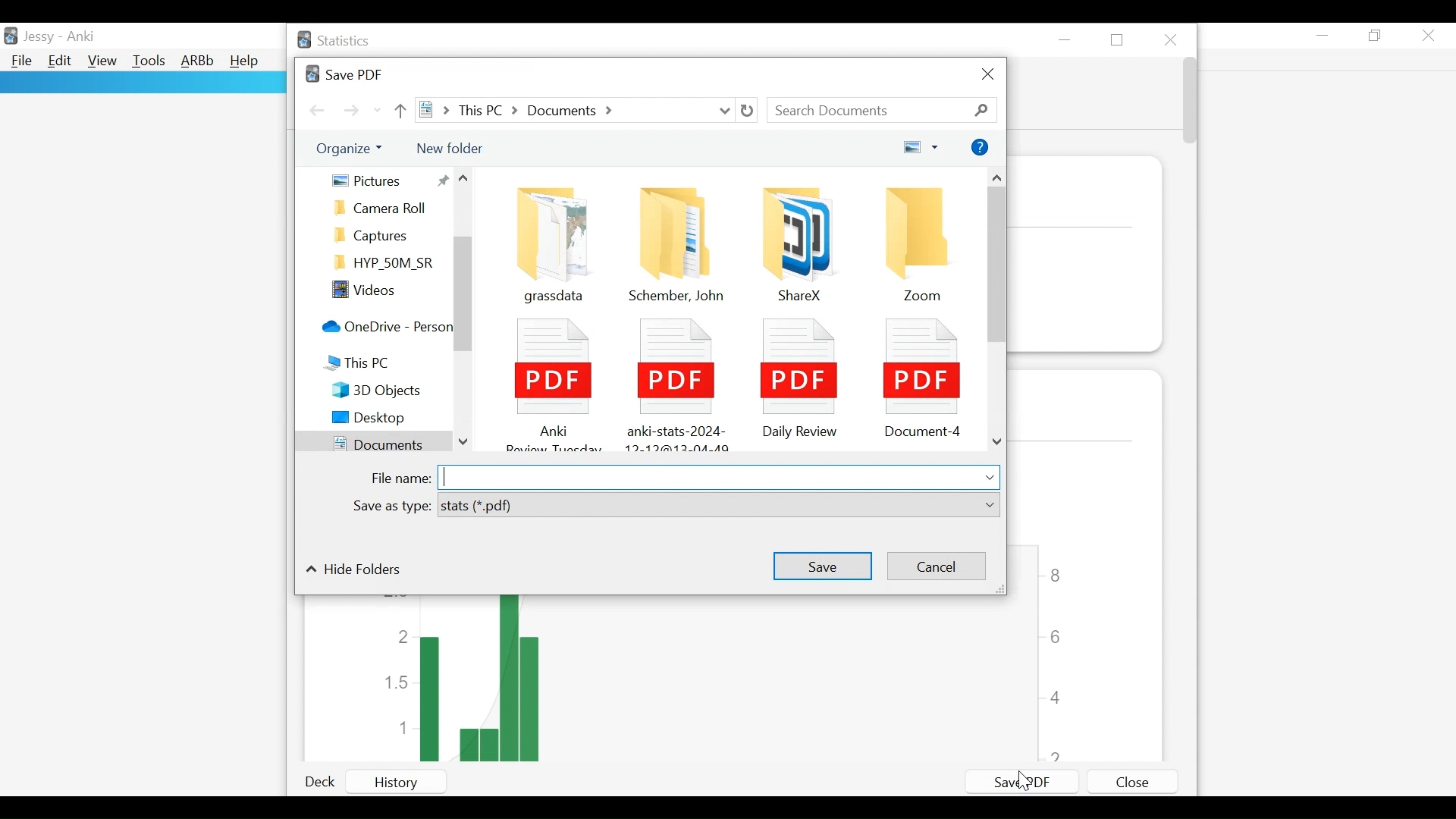  What do you see at coordinates (317, 109) in the screenshot?
I see `Go back` at bounding box center [317, 109].